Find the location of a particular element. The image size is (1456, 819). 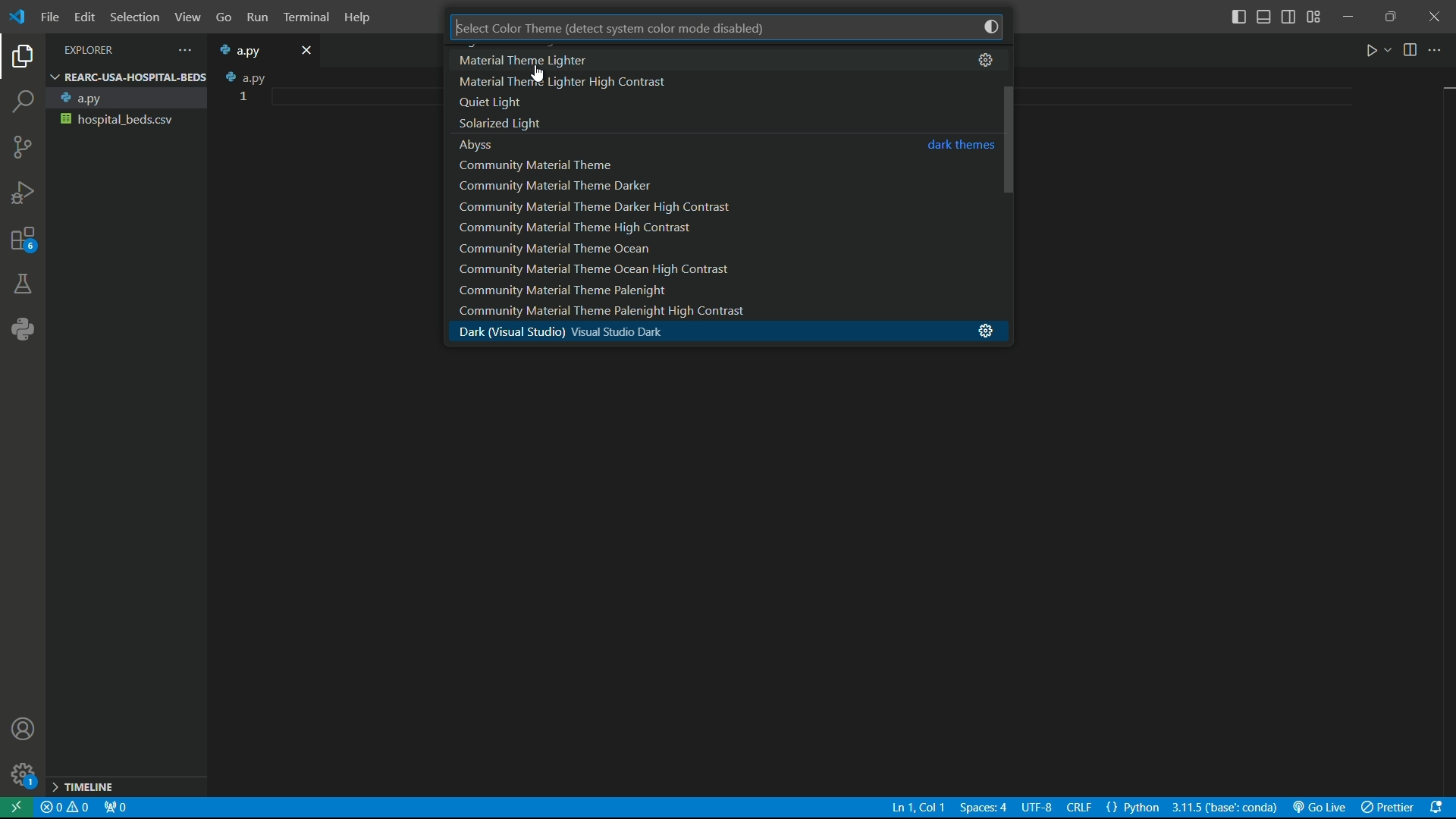

Material Ther Lighter High Contrast is located at coordinates (568, 83).